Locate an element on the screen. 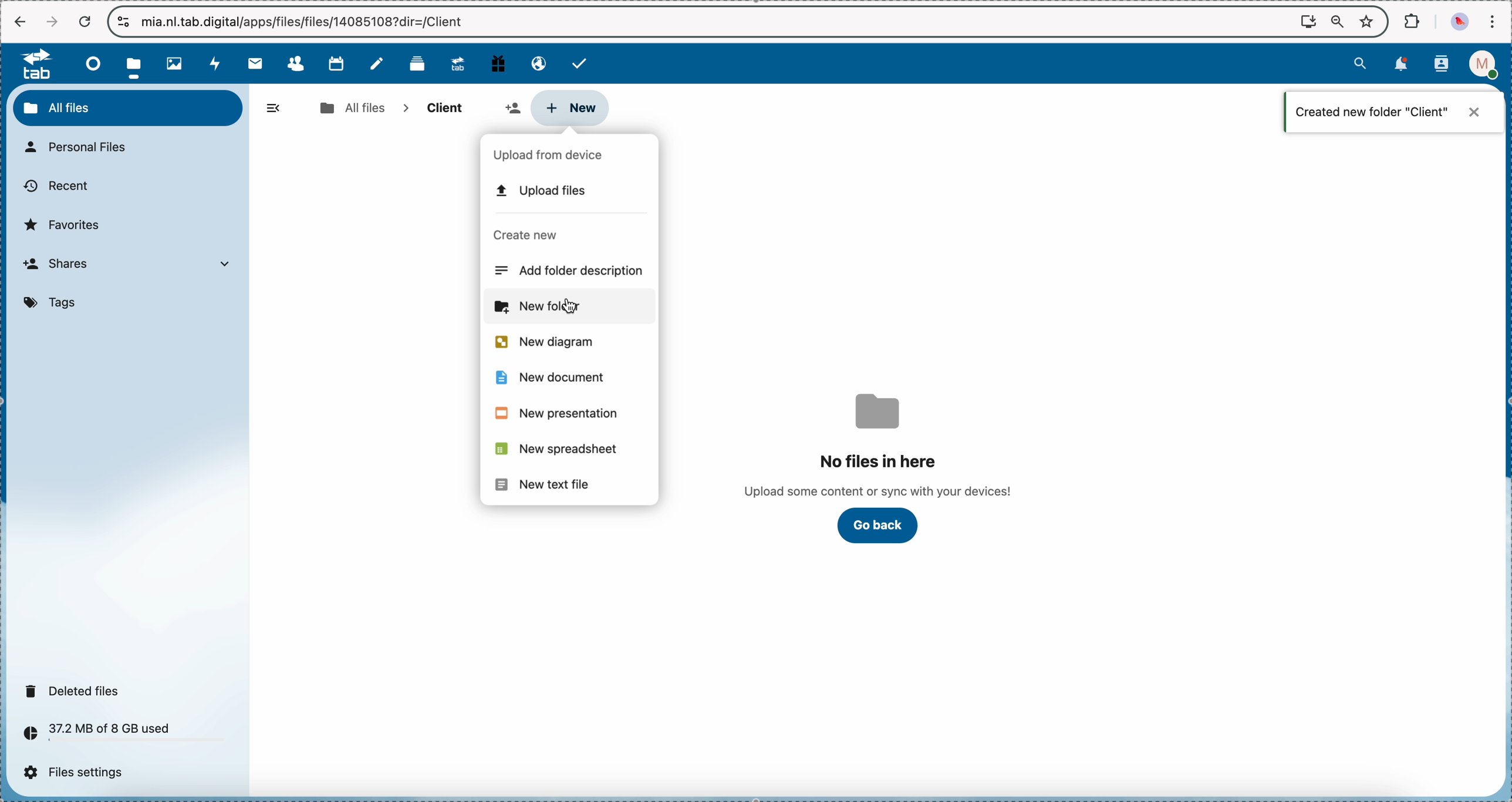  click on go back is located at coordinates (879, 525).